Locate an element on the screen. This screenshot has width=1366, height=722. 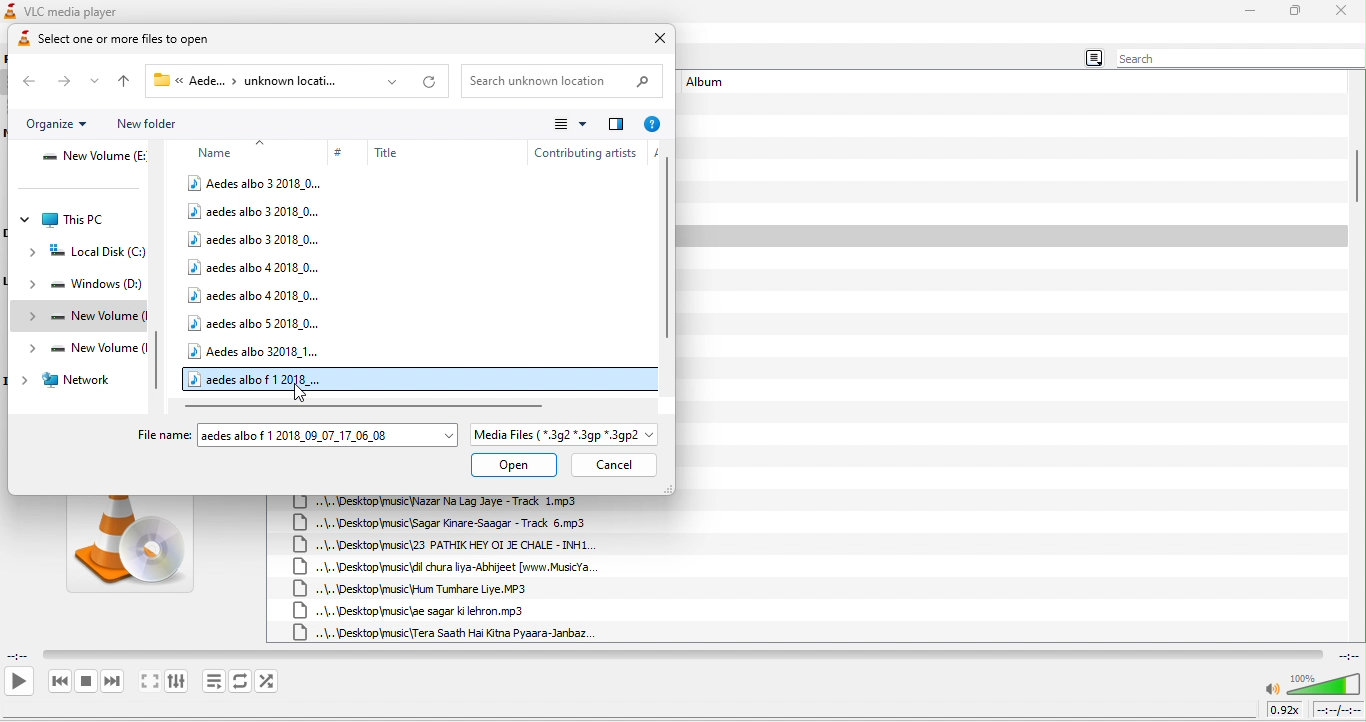
name is located at coordinates (228, 150).